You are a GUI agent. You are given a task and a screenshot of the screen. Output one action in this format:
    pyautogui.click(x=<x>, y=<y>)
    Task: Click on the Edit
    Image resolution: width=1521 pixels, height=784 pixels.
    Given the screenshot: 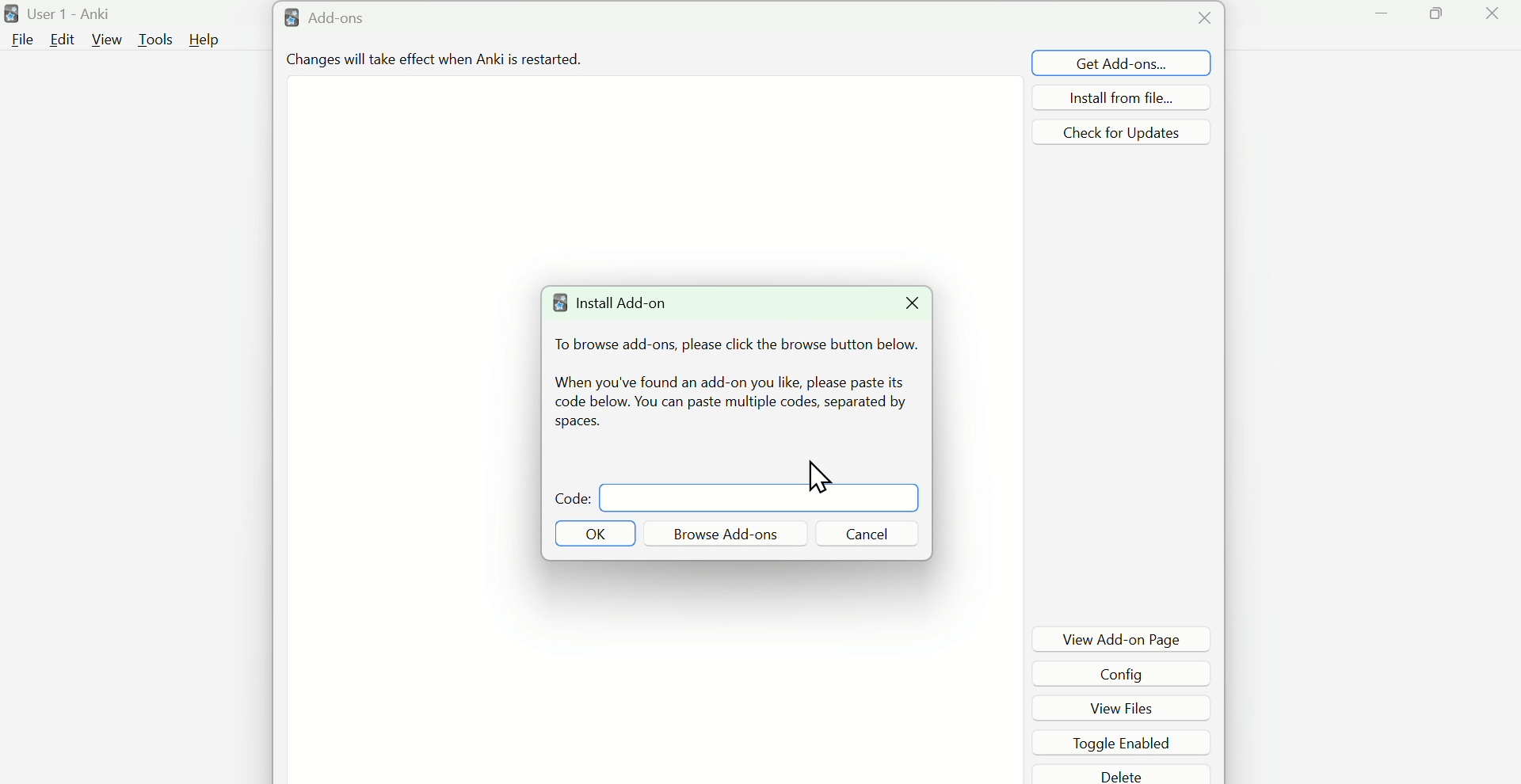 What is the action you would take?
    pyautogui.click(x=61, y=40)
    